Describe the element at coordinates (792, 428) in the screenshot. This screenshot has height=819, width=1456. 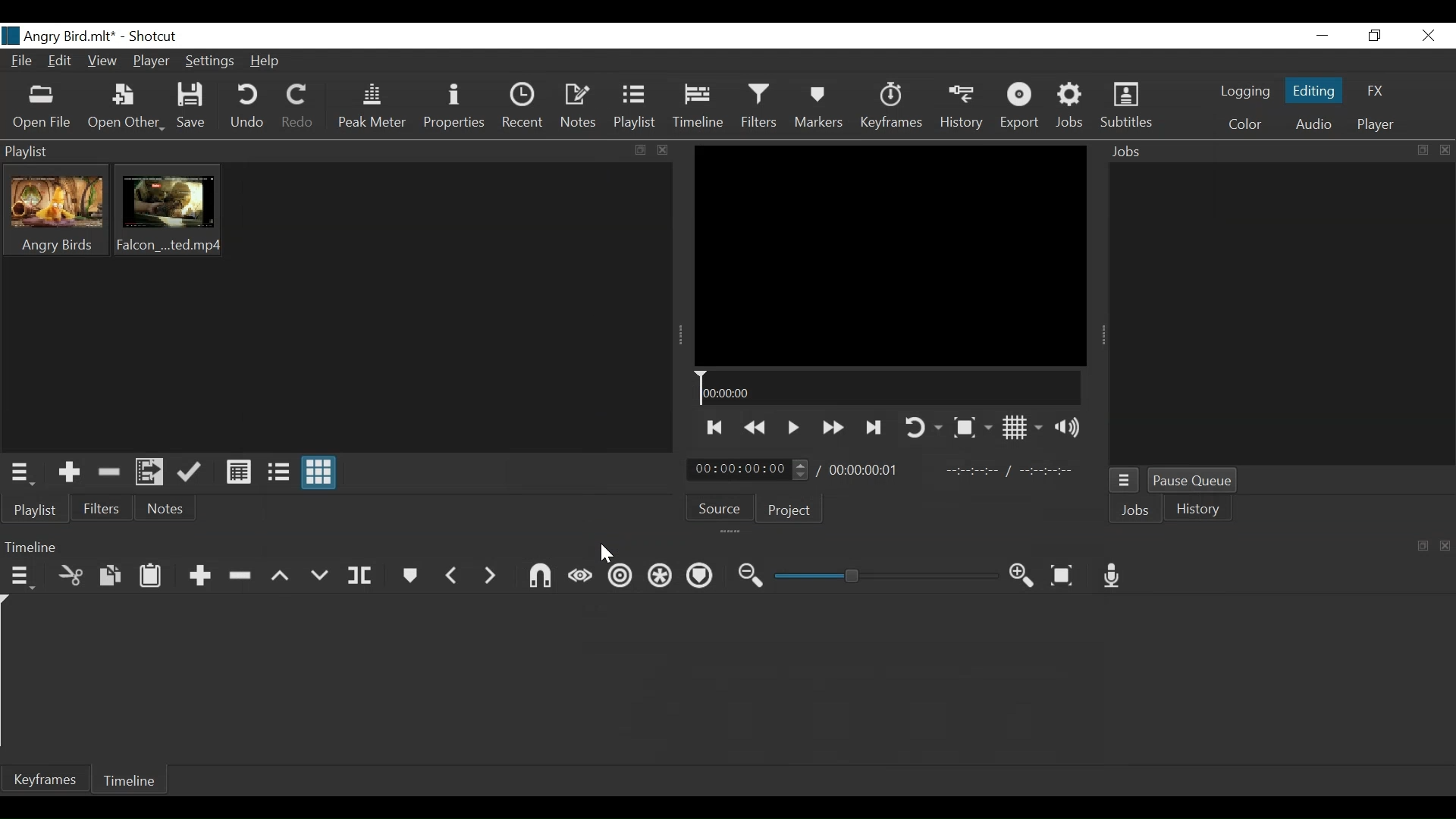
I see `Toggle play or pause (space)` at that location.